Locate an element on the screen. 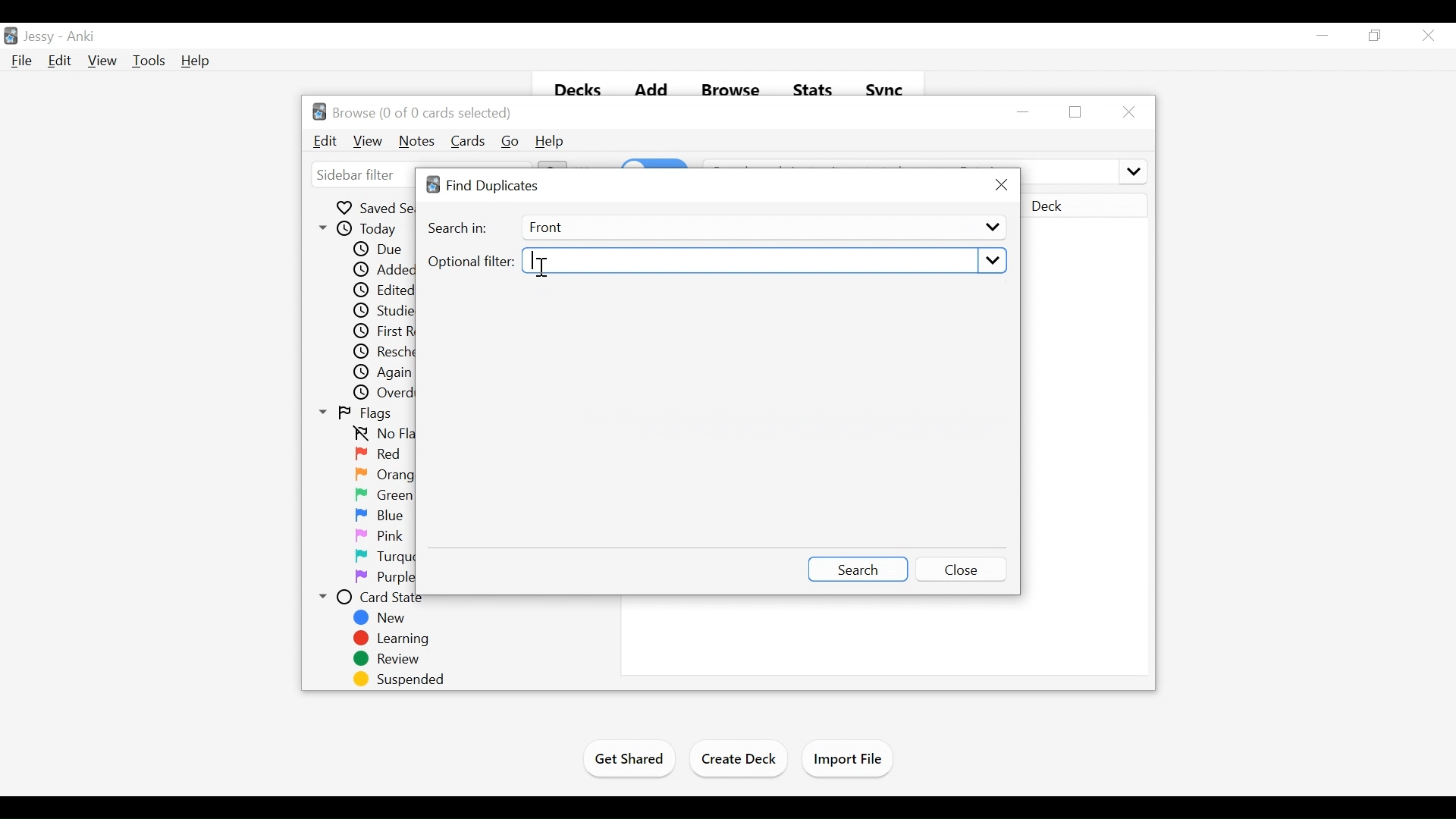 The height and width of the screenshot is (819, 1456). sidebar filter is located at coordinates (357, 176).